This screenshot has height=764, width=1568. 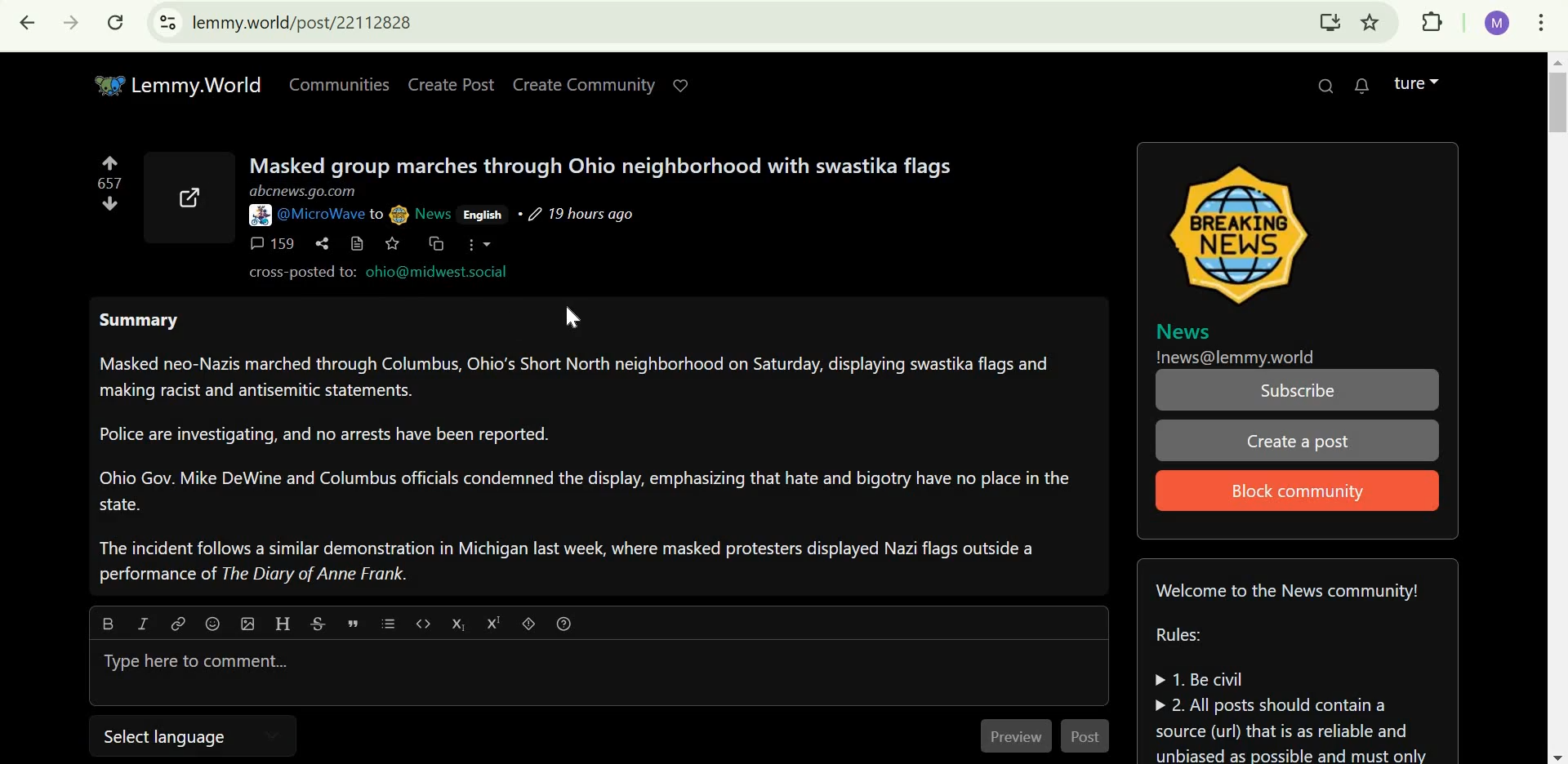 What do you see at coordinates (528, 624) in the screenshot?
I see `spoiler` at bounding box center [528, 624].